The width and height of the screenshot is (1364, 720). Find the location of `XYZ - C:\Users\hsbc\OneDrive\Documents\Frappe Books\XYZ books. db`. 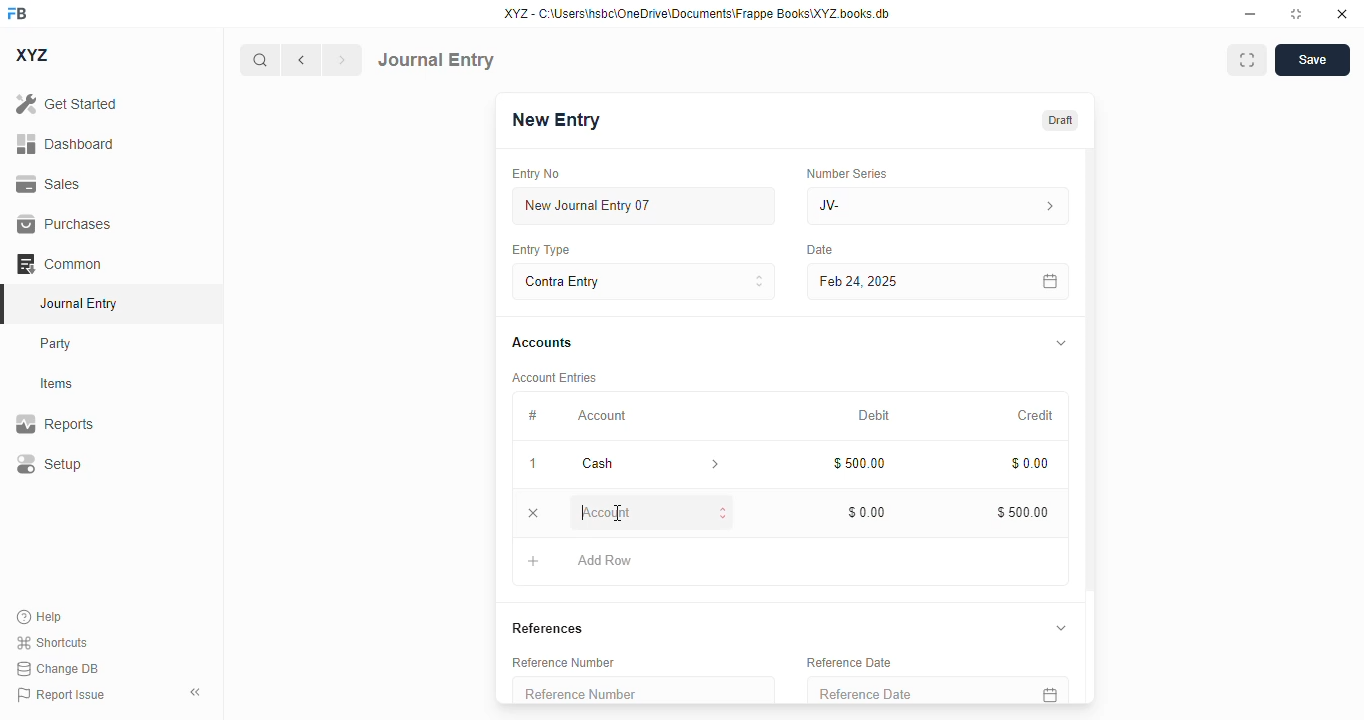

XYZ - C:\Users\hsbc\OneDrive\Documents\Frappe Books\XYZ books. db is located at coordinates (697, 14).